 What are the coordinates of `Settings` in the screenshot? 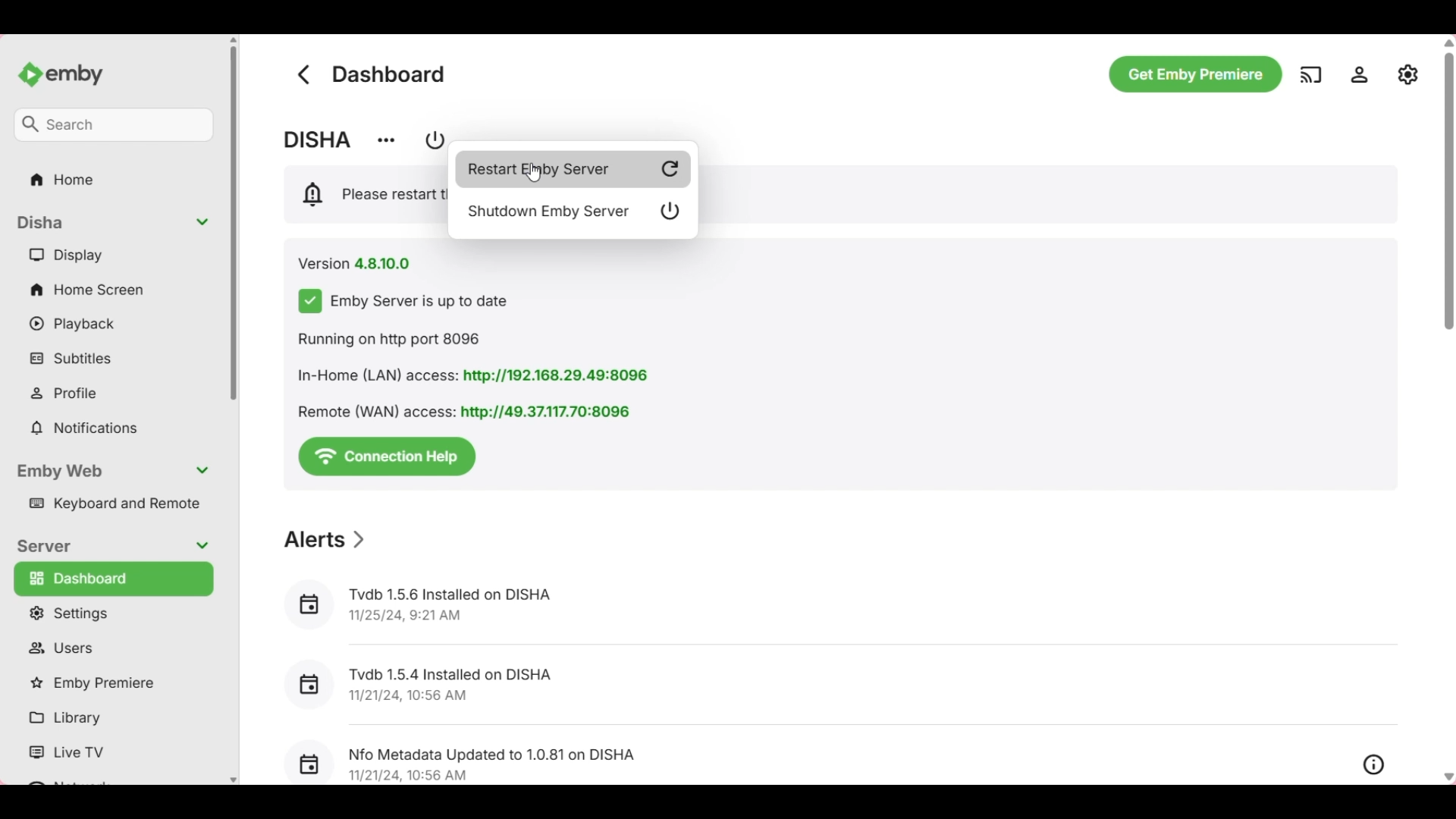 It's located at (1359, 74).